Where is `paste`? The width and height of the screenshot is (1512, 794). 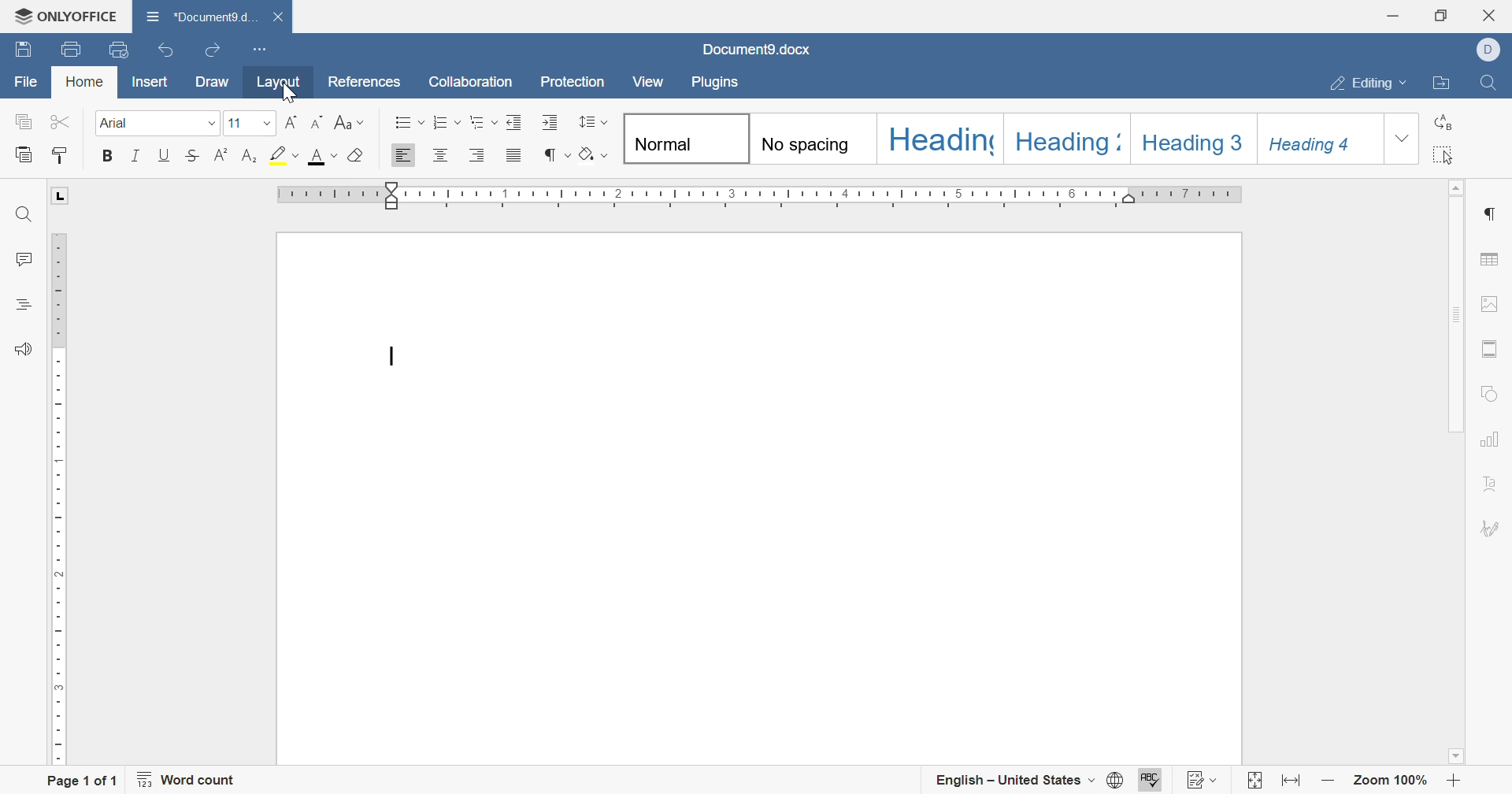 paste is located at coordinates (24, 155).